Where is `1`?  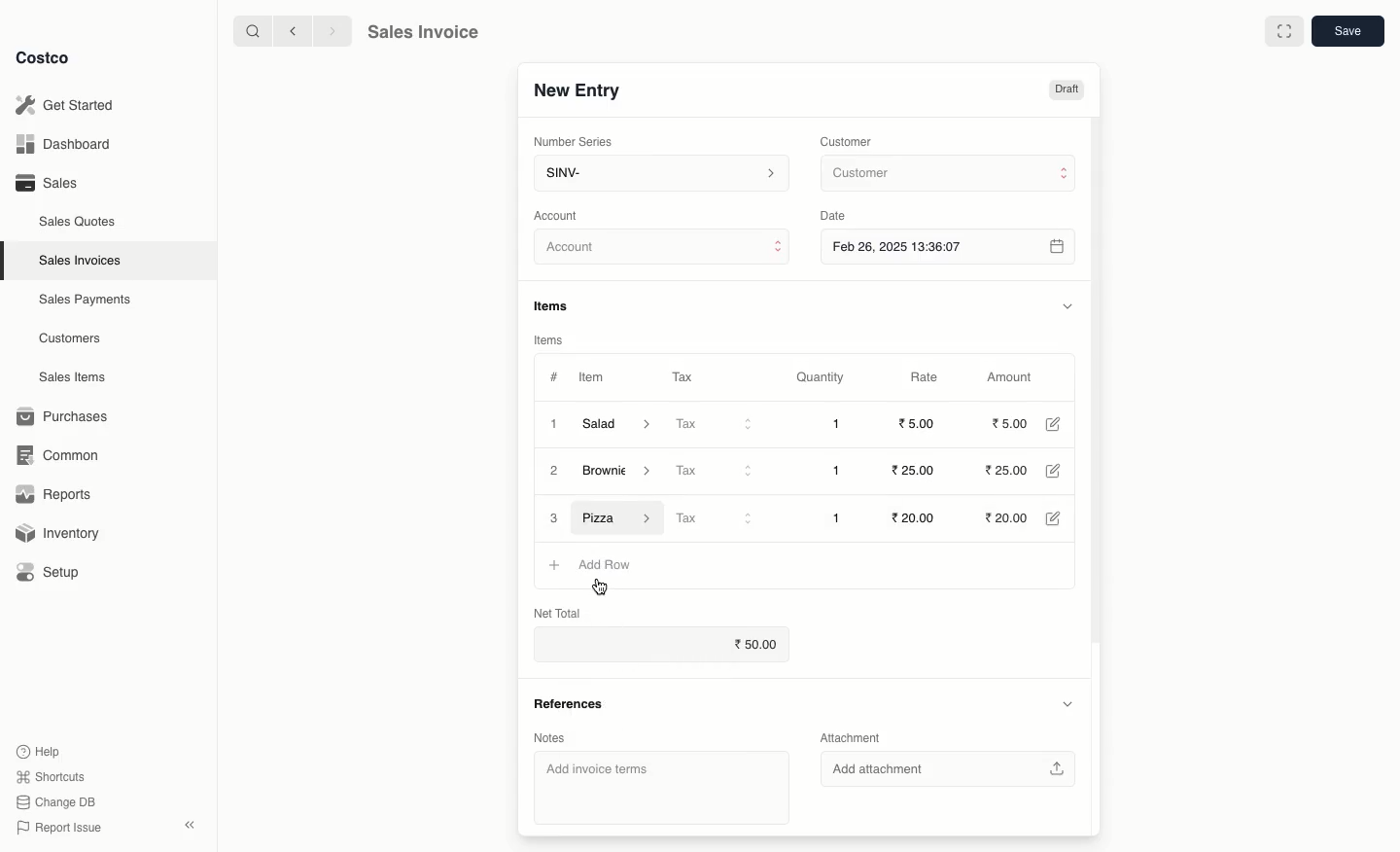 1 is located at coordinates (836, 471).